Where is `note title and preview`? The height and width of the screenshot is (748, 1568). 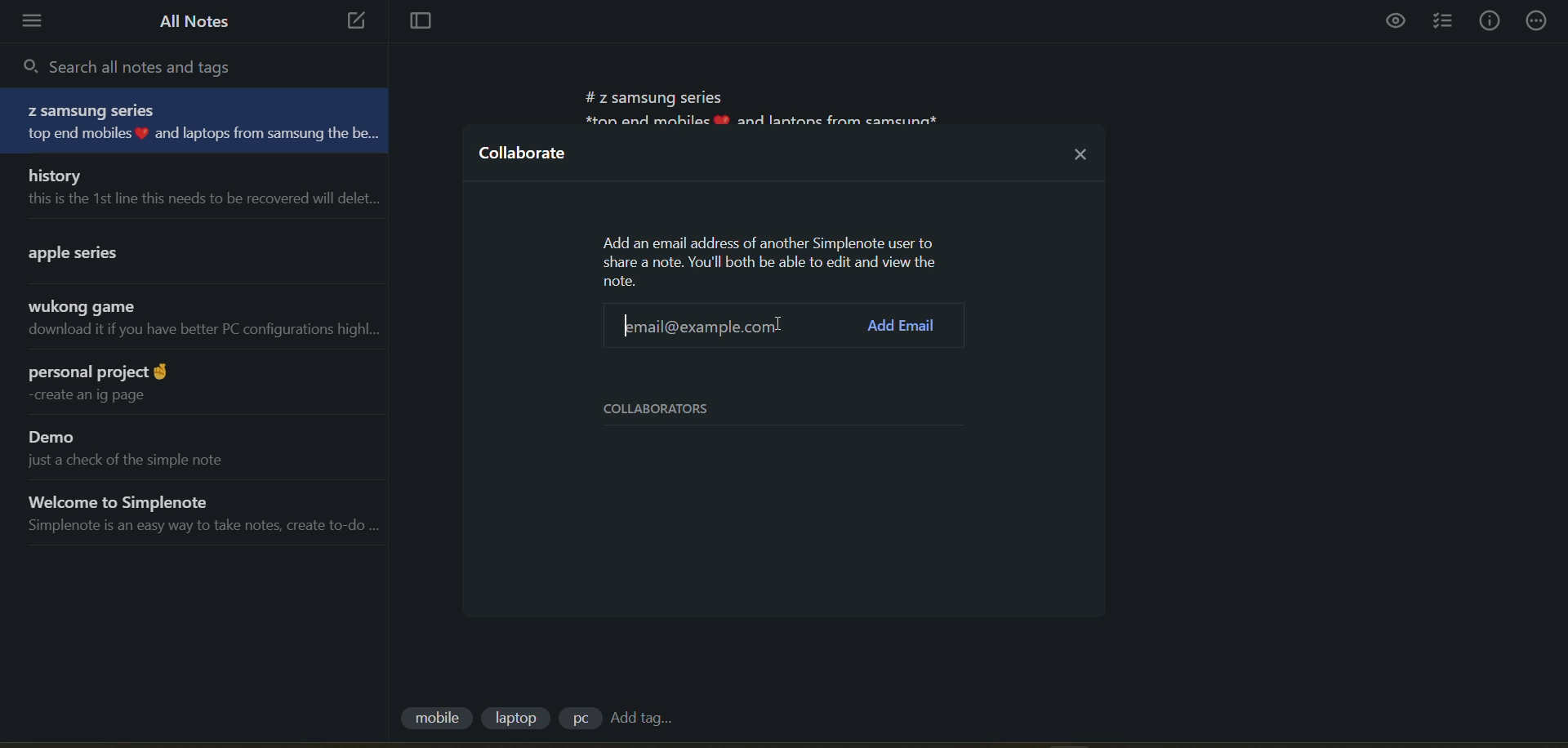
note title and preview is located at coordinates (181, 250).